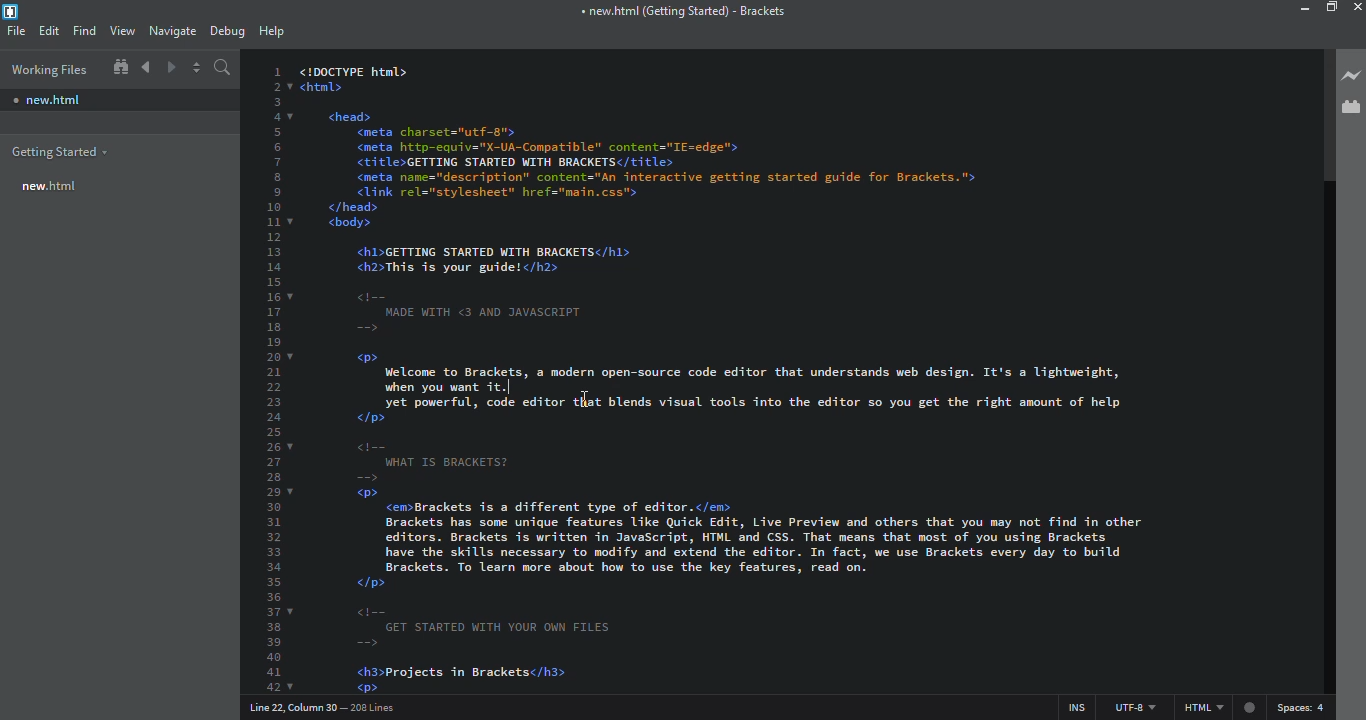  Describe the element at coordinates (277, 374) in the screenshot. I see `line number` at that location.